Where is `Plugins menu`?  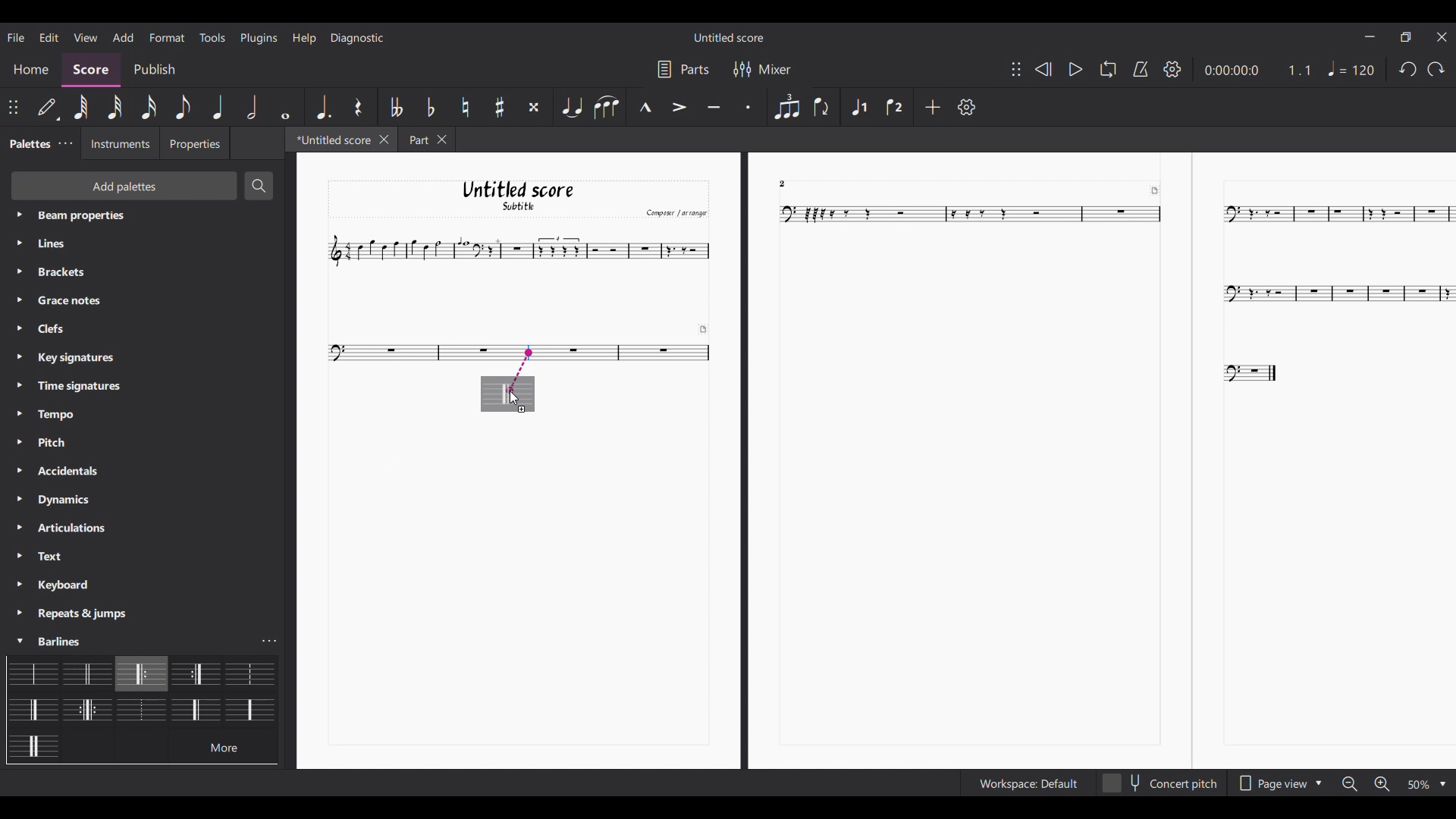
Plugins menu is located at coordinates (259, 38).